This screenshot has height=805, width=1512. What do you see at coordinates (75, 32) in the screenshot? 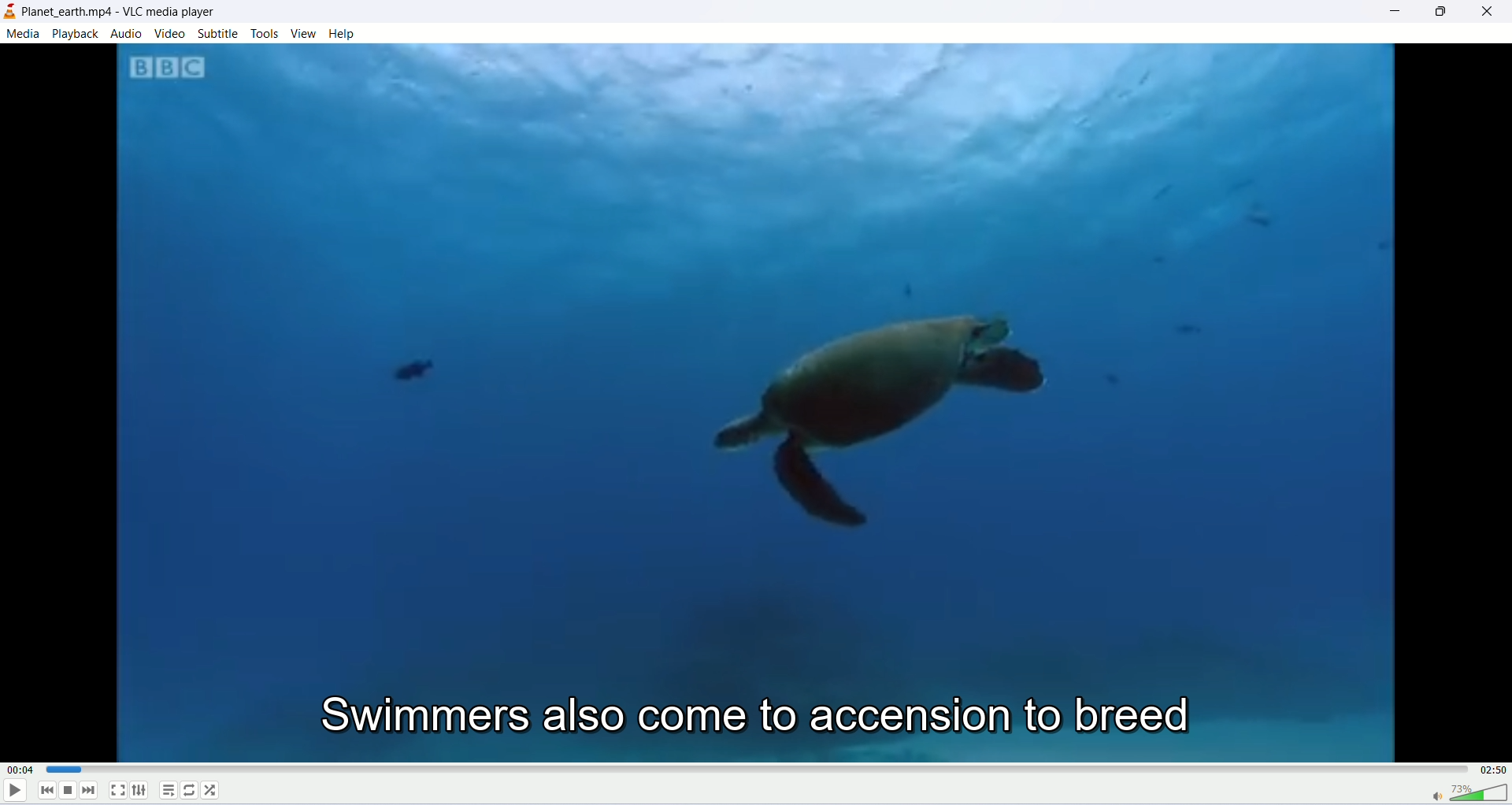
I see `playback` at bounding box center [75, 32].